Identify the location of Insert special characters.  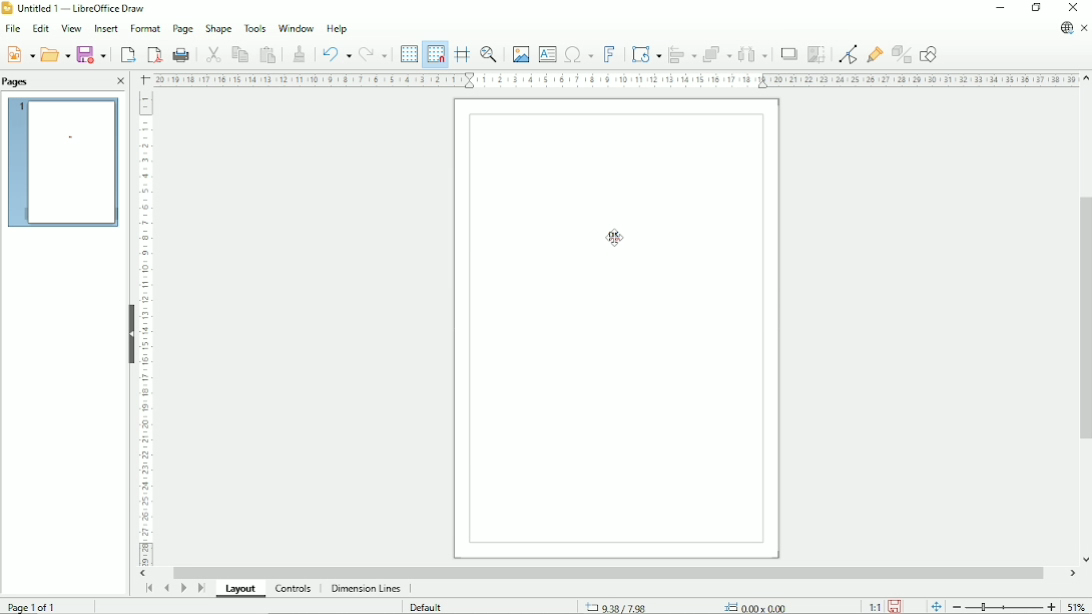
(578, 53).